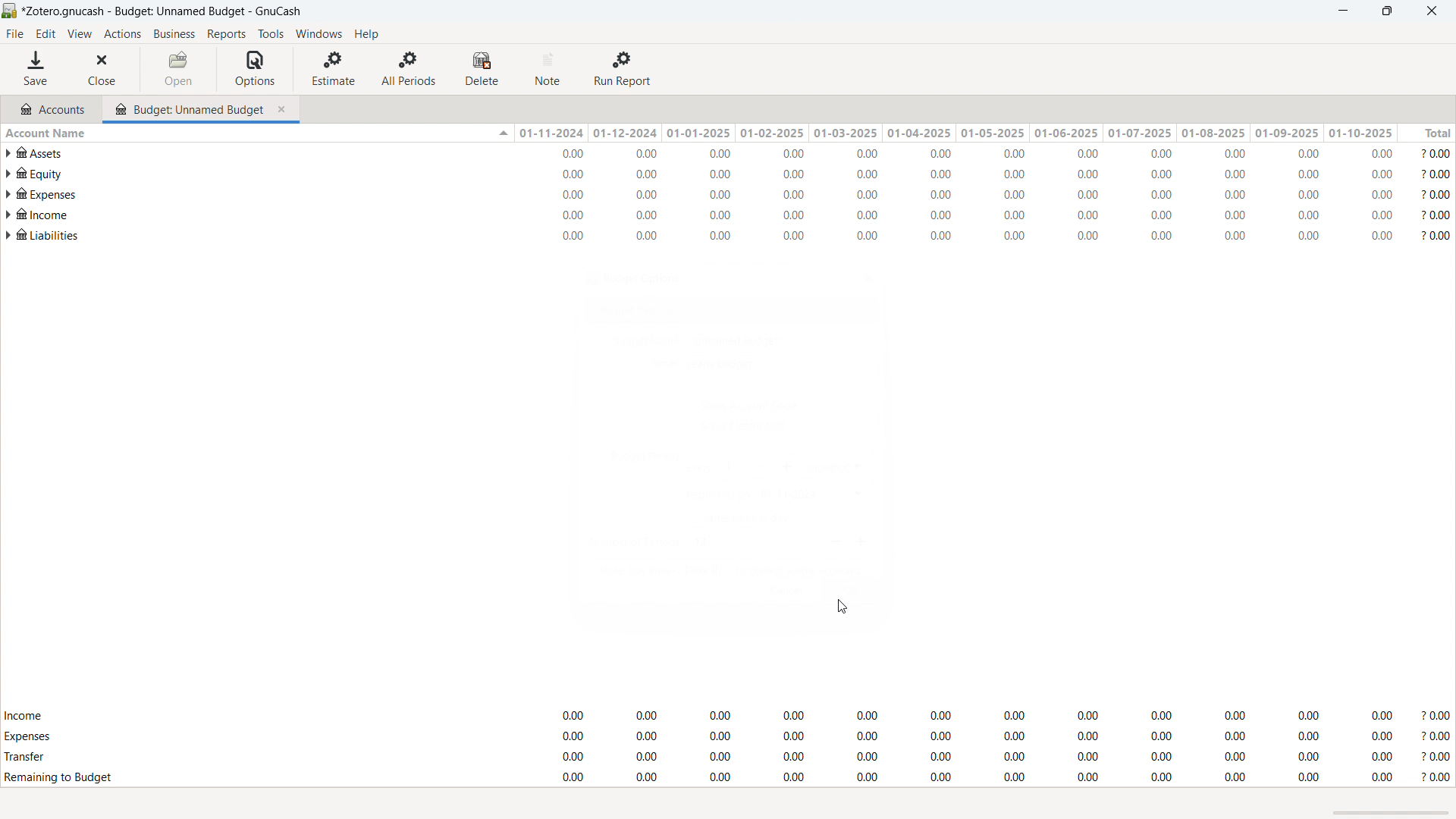  Describe the element at coordinates (1427, 133) in the screenshot. I see `total` at that location.